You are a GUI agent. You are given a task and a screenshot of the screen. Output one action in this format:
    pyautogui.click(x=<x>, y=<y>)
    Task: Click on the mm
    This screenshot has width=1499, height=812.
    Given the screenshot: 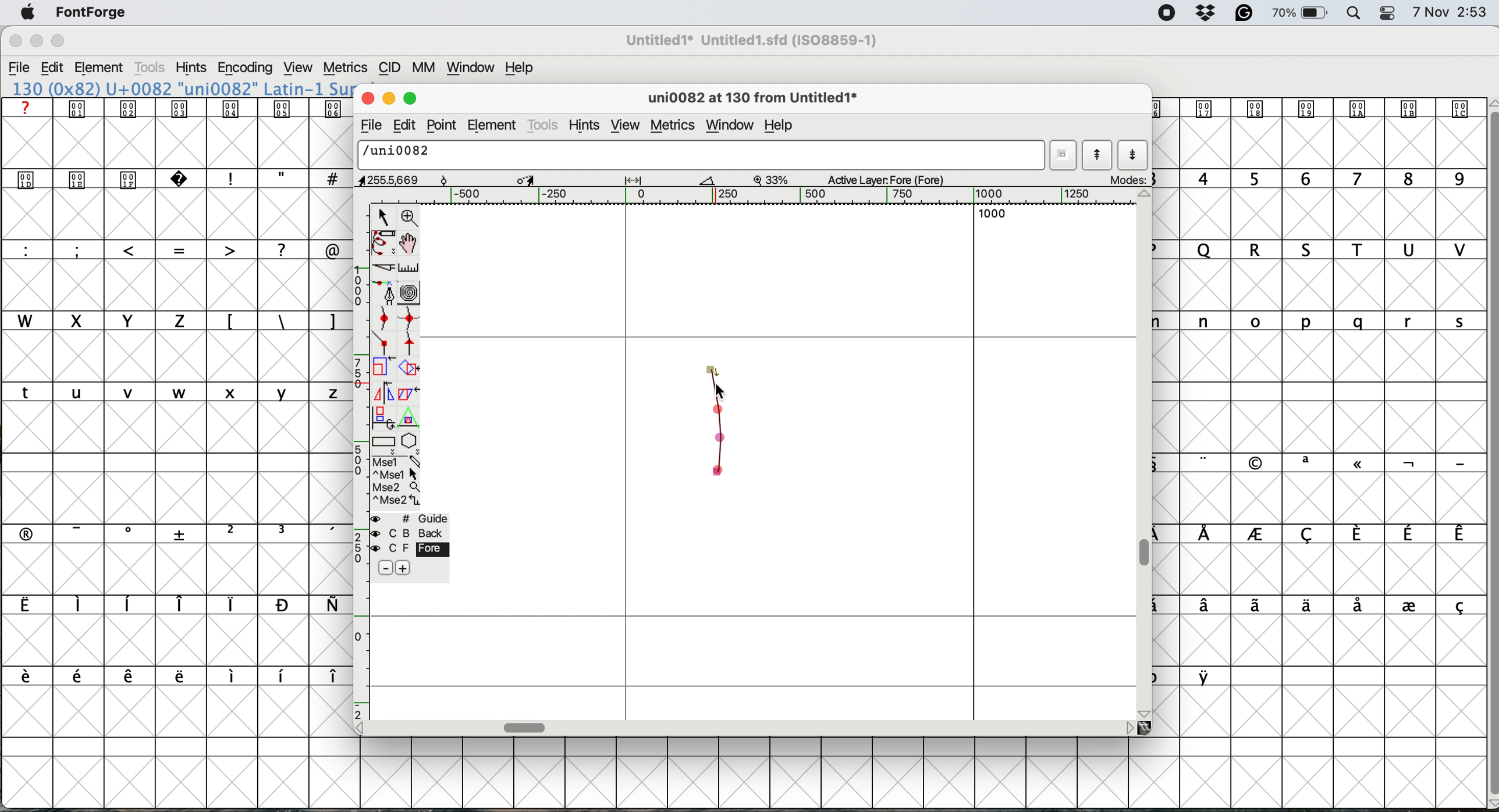 What is the action you would take?
    pyautogui.click(x=428, y=69)
    